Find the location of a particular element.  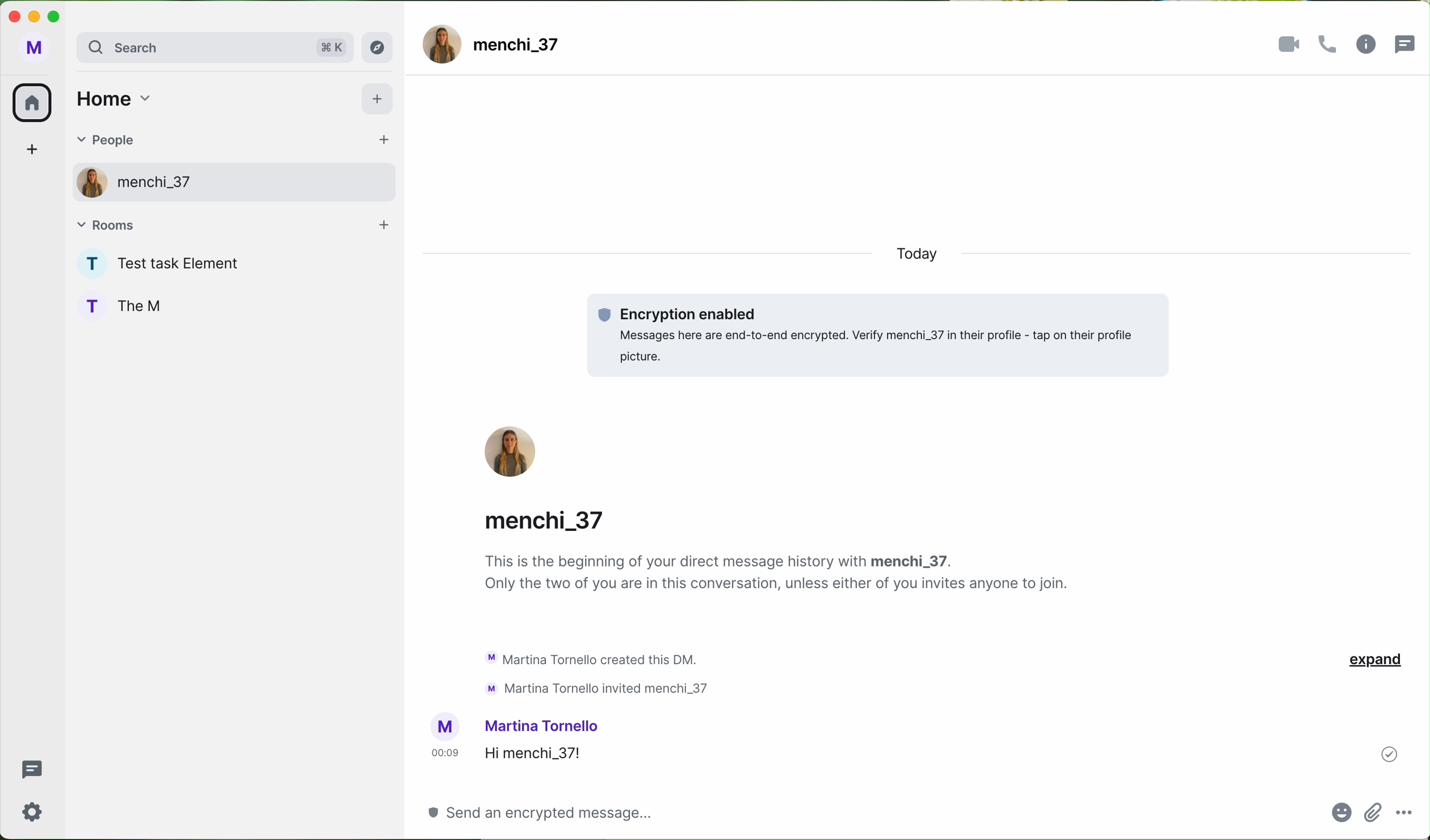

expand is located at coordinates (1374, 661).